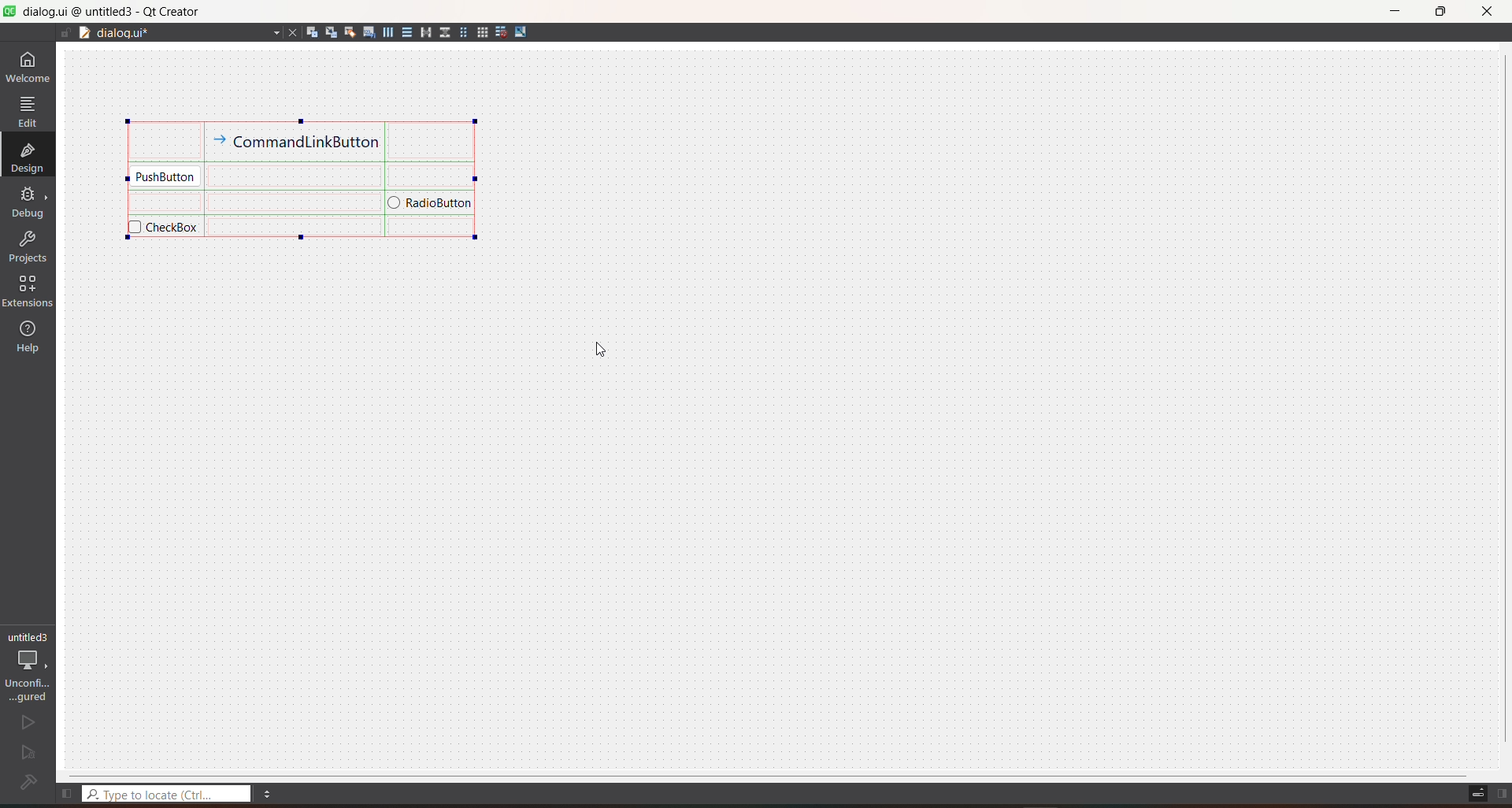 The image size is (1512, 808). What do you see at coordinates (28, 754) in the screenshot?
I see `run and debug` at bounding box center [28, 754].